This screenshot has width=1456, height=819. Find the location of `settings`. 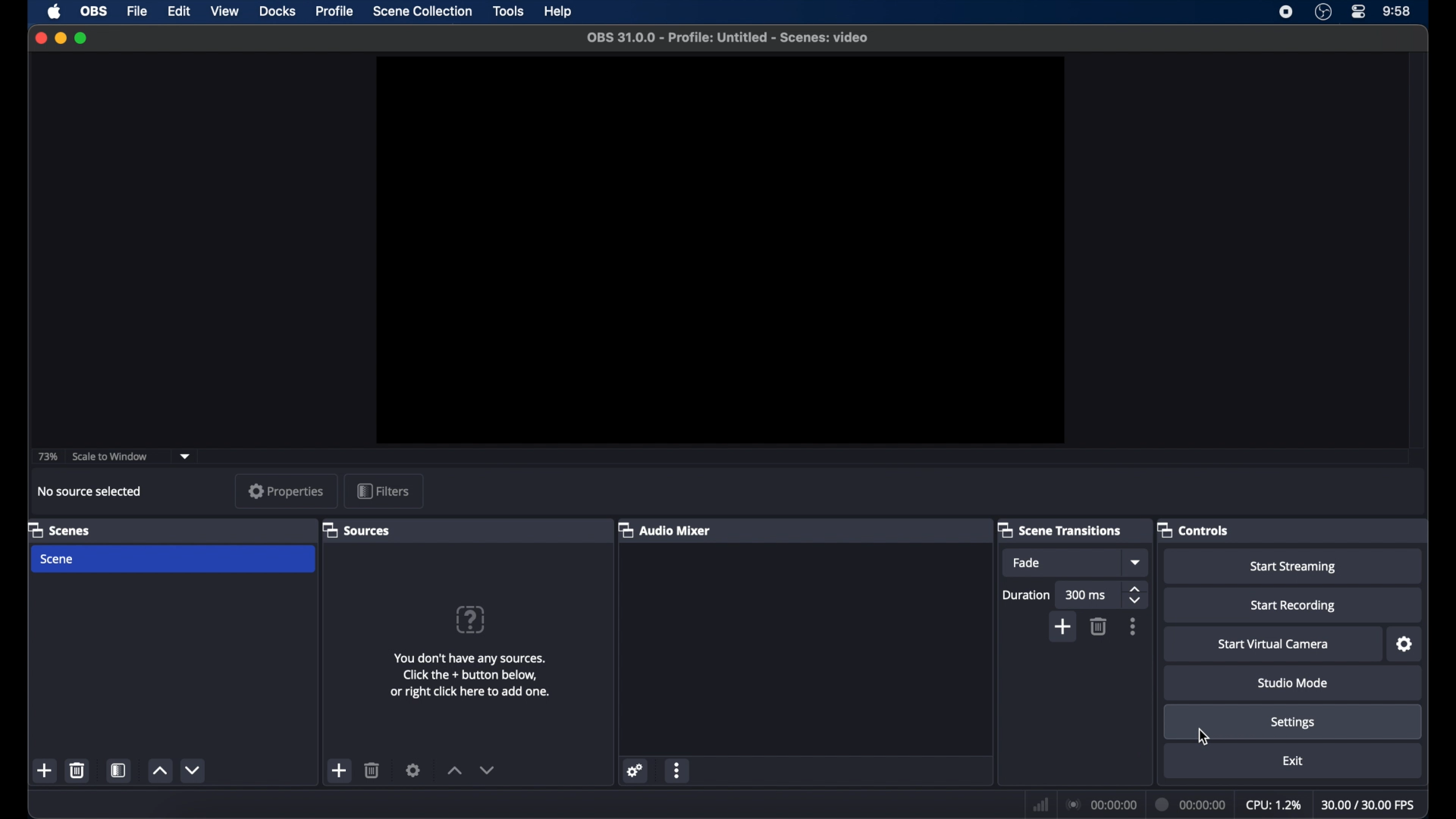

settings is located at coordinates (1405, 644).